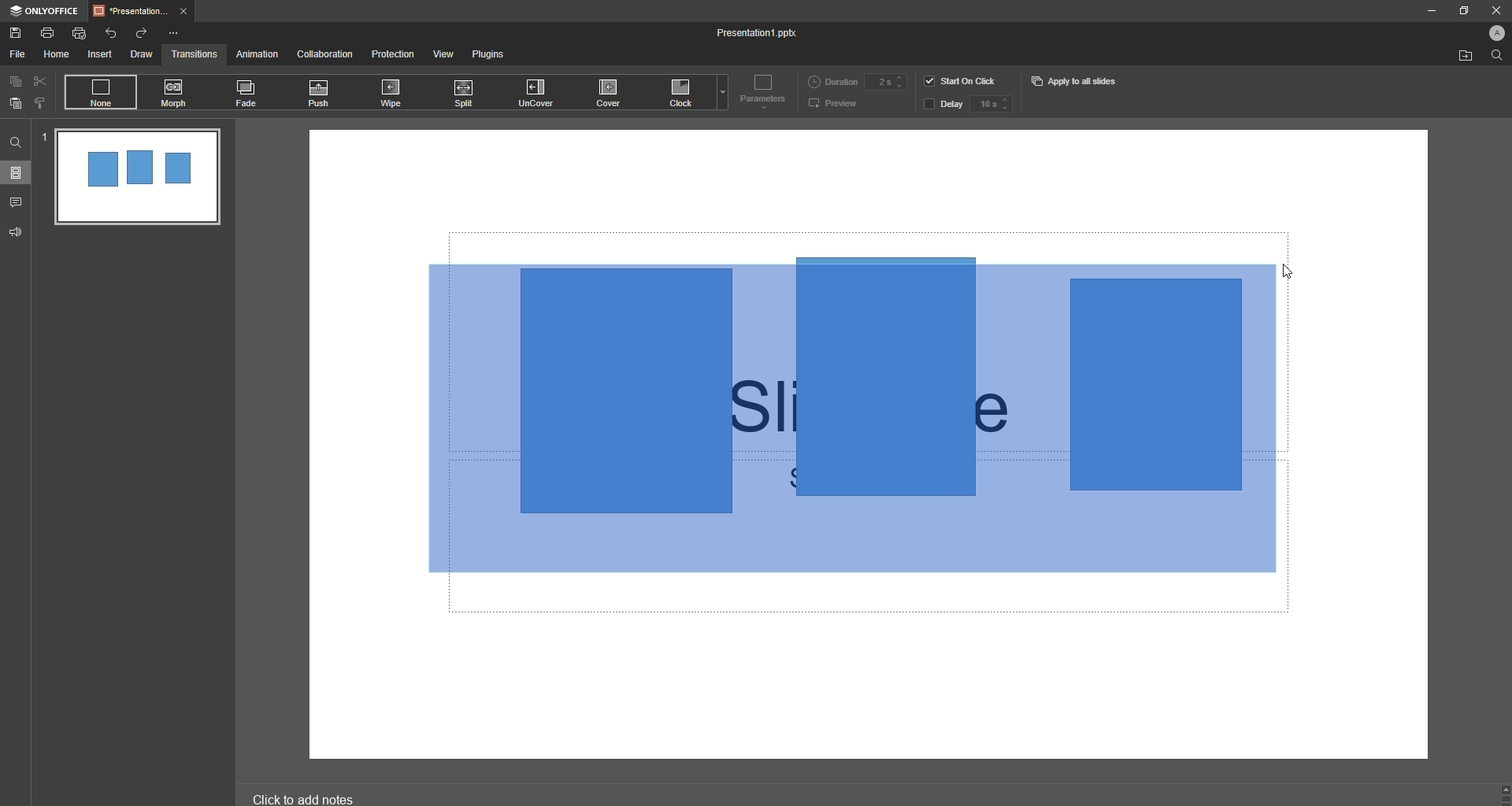 This screenshot has height=806, width=1512. What do you see at coordinates (759, 91) in the screenshot?
I see `Parameters` at bounding box center [759, 91].